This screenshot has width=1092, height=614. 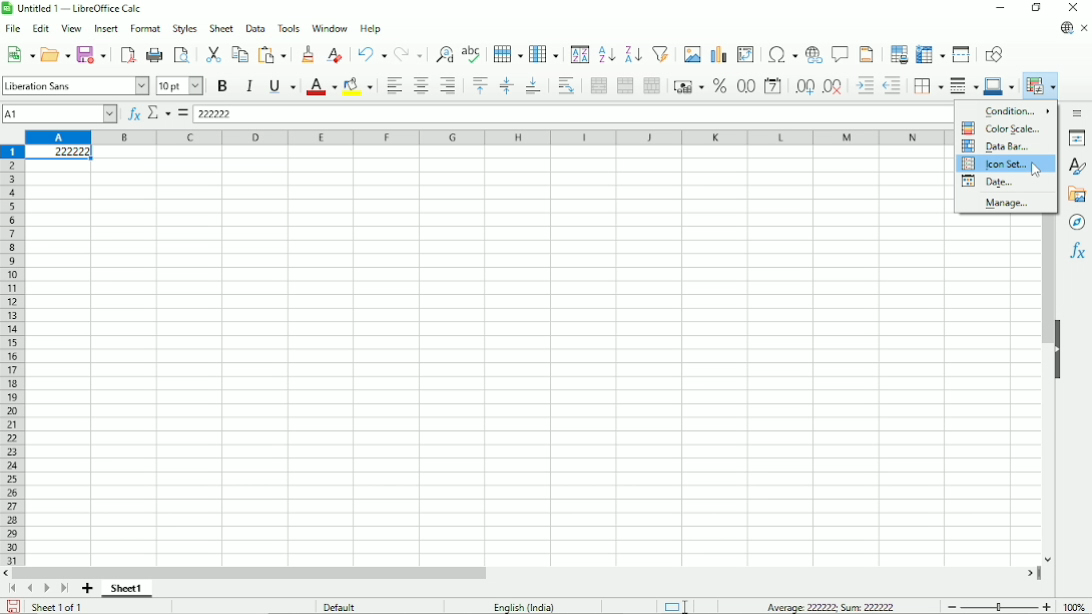 I want to click on Insert or edit pivot table, so click(x=745, y=53).